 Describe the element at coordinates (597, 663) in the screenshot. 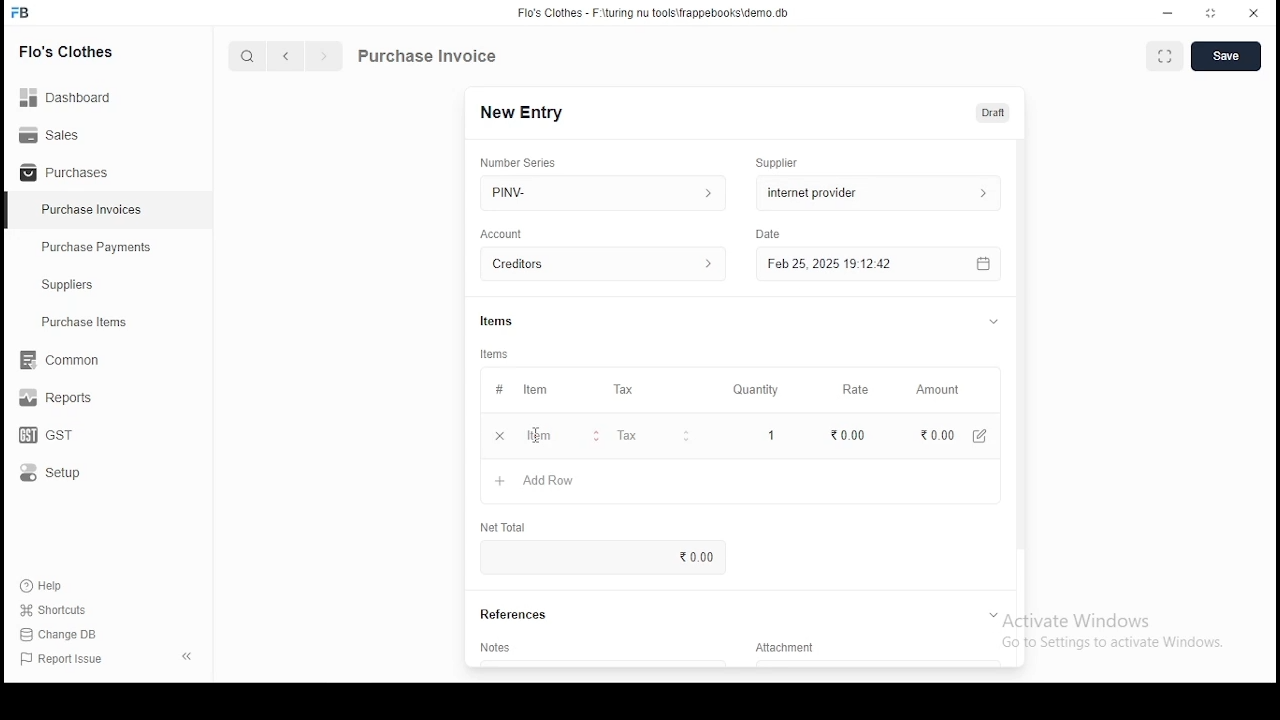

I see `notes` at that location.